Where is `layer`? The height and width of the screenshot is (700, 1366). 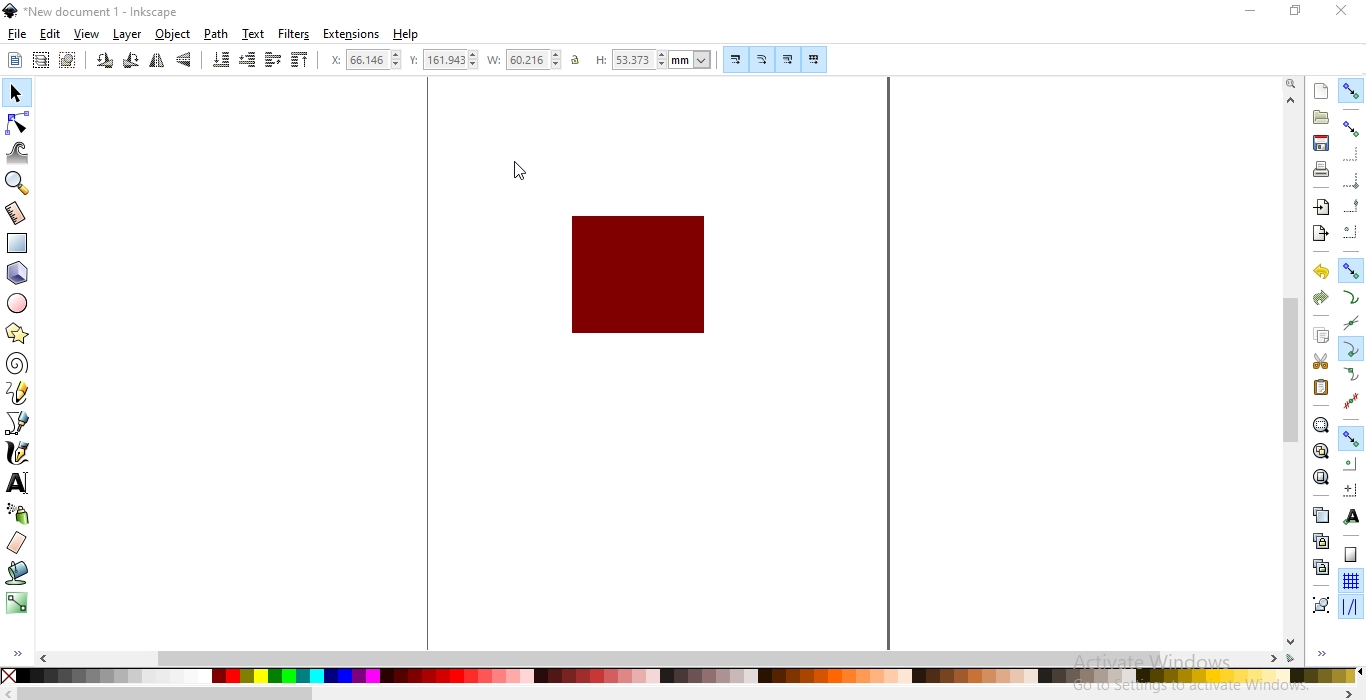 layer is located at coordinates (129, 35).